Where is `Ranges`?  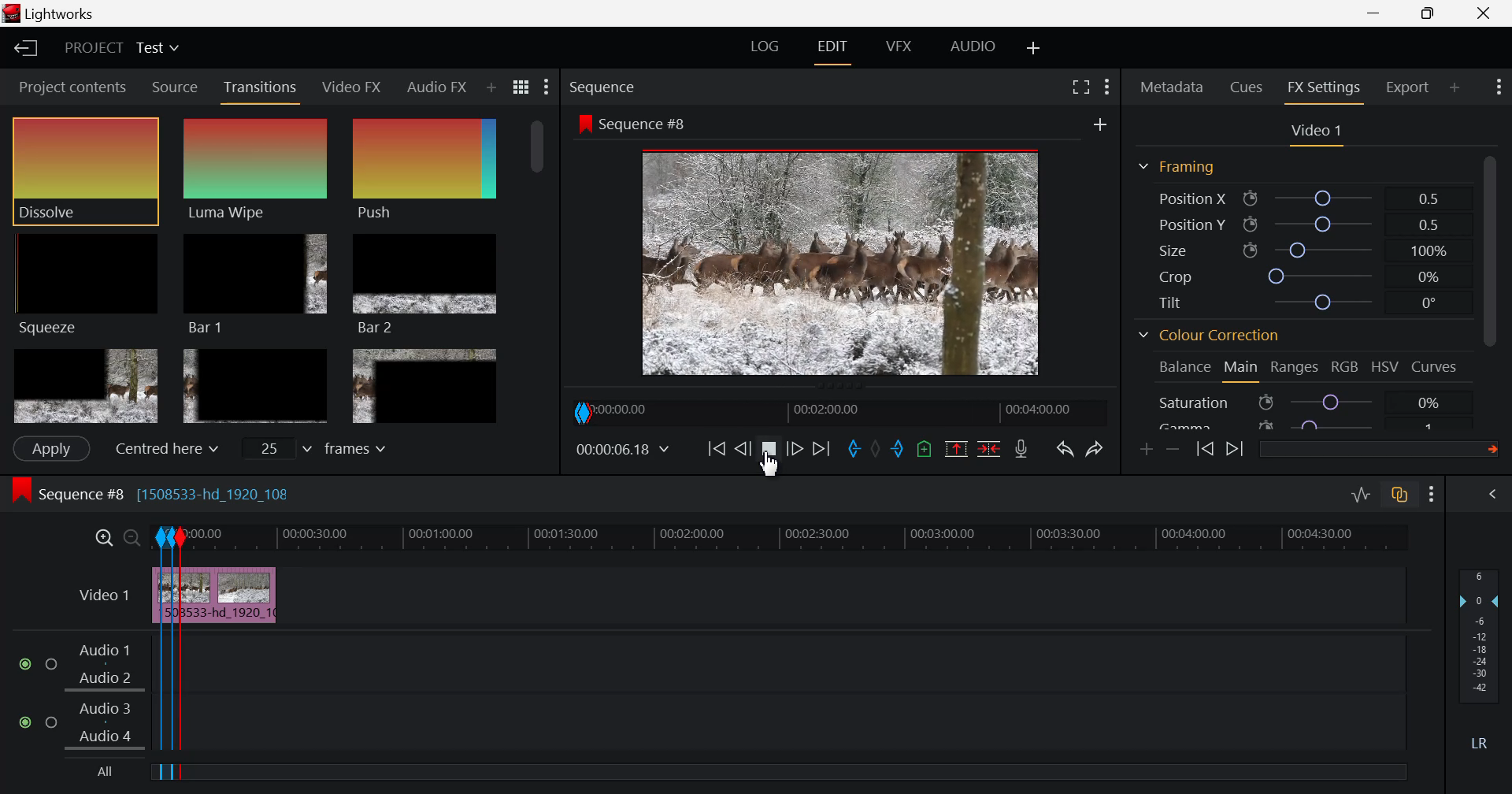
Ranges is located at coordinates (1298, 369).